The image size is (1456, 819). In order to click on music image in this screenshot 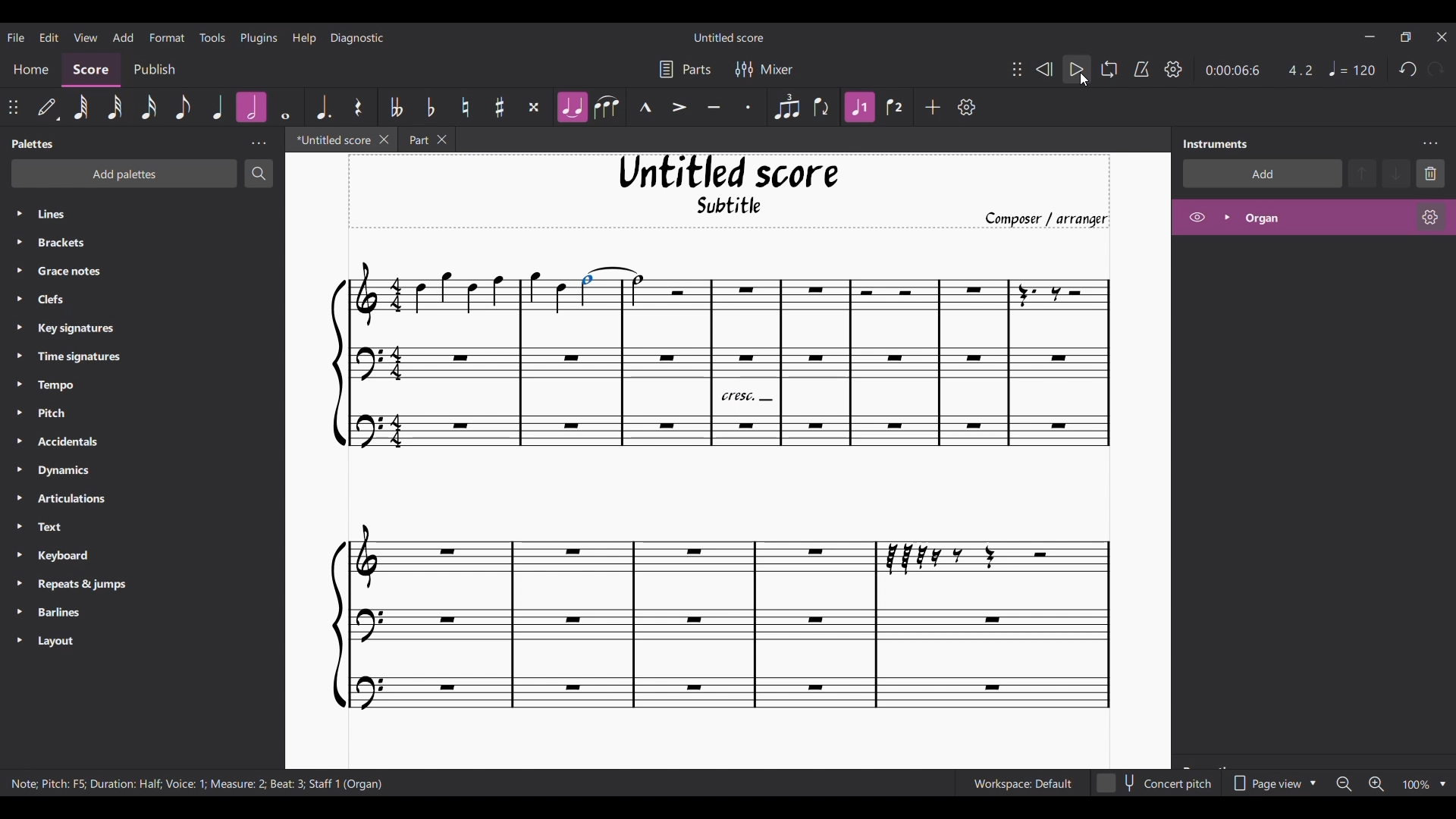, I will do `click(723, 492)`.